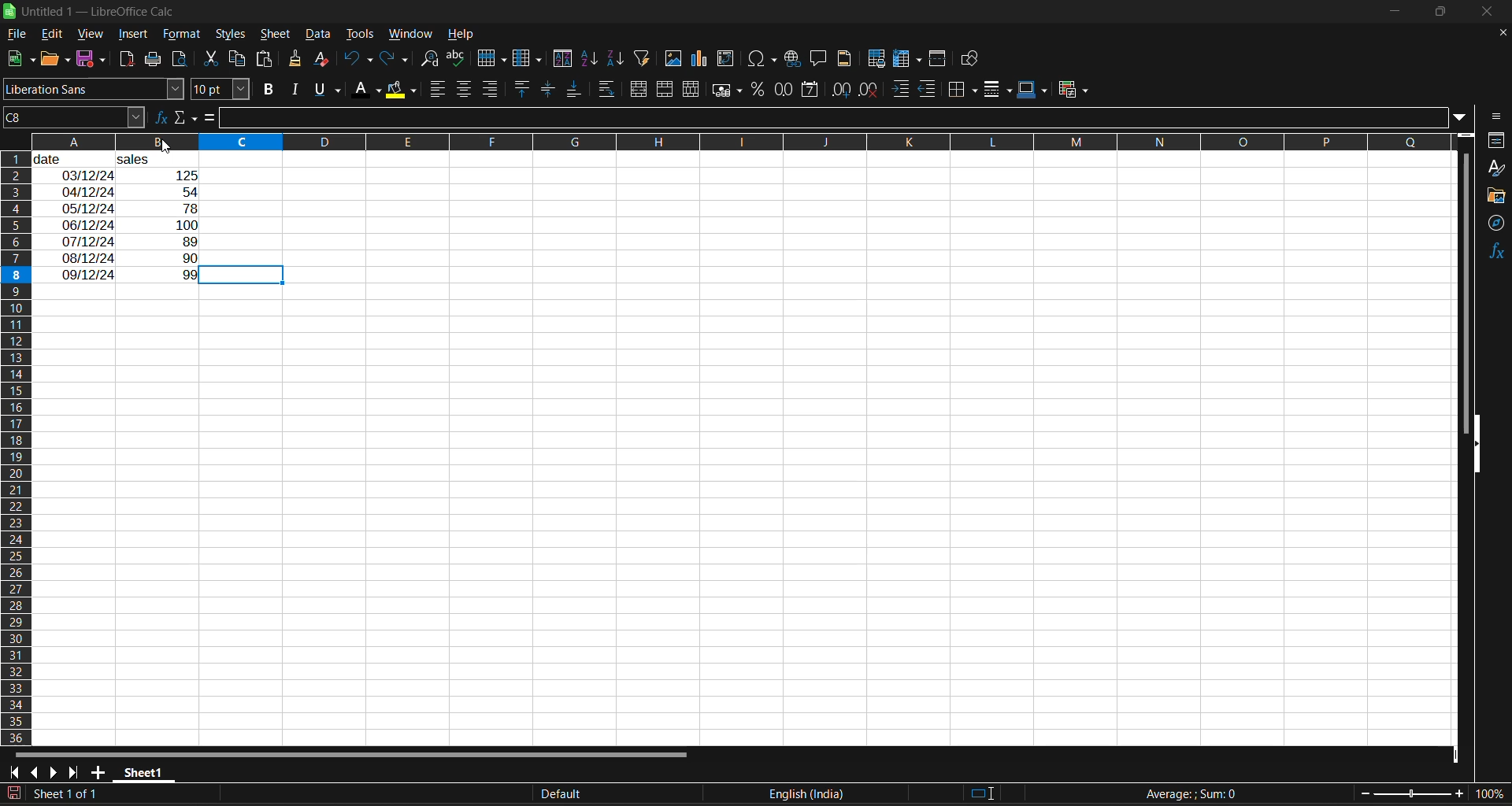  What do you see at coordinates (1466, 278) in the screenshot?
I see `vertical scroll bar` at bounding box center [1466, 278].